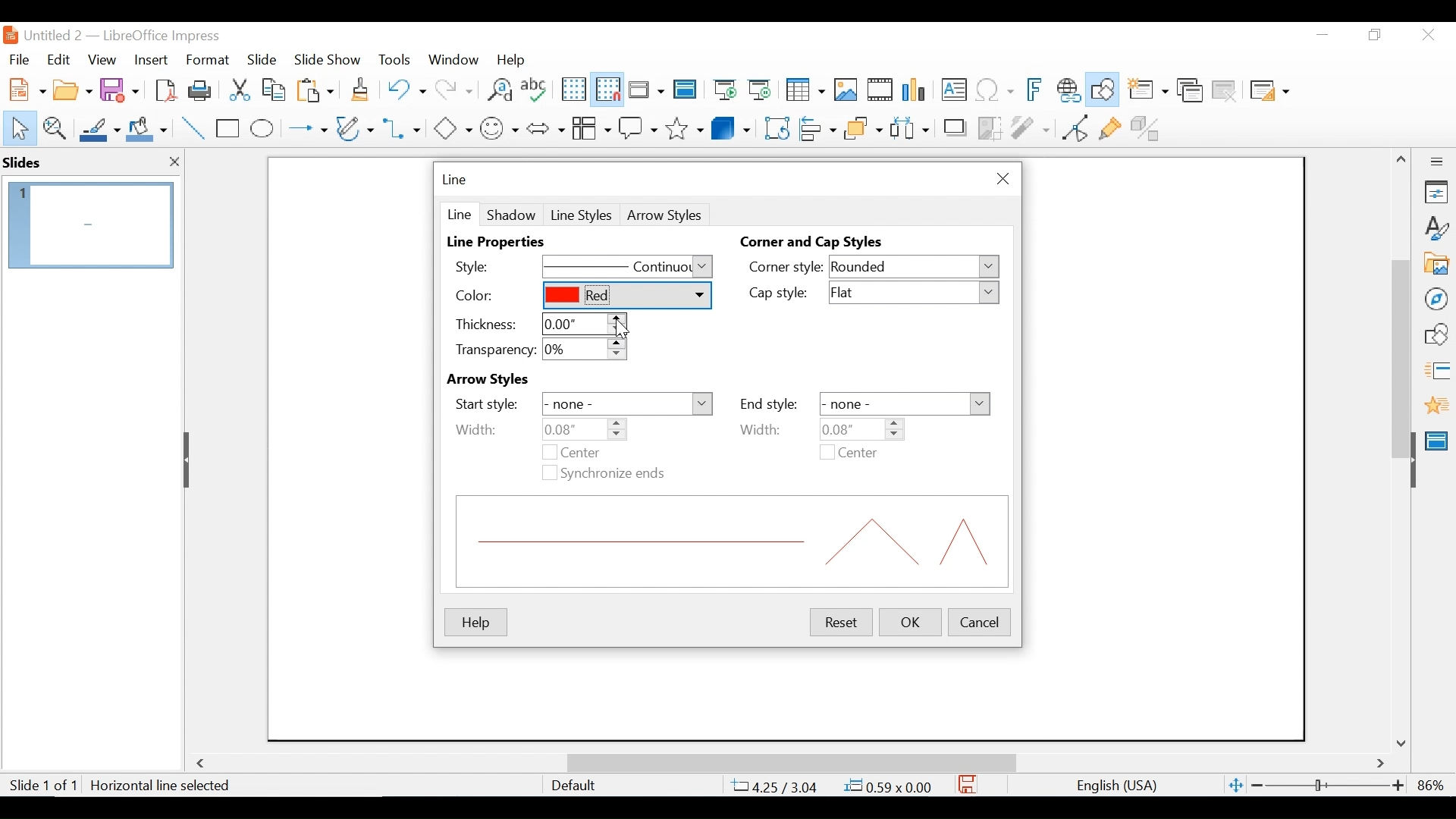  What do you see at coordinates (275, 89) in the screenshot?
I see `Copy` at bounding box center [275, 89].